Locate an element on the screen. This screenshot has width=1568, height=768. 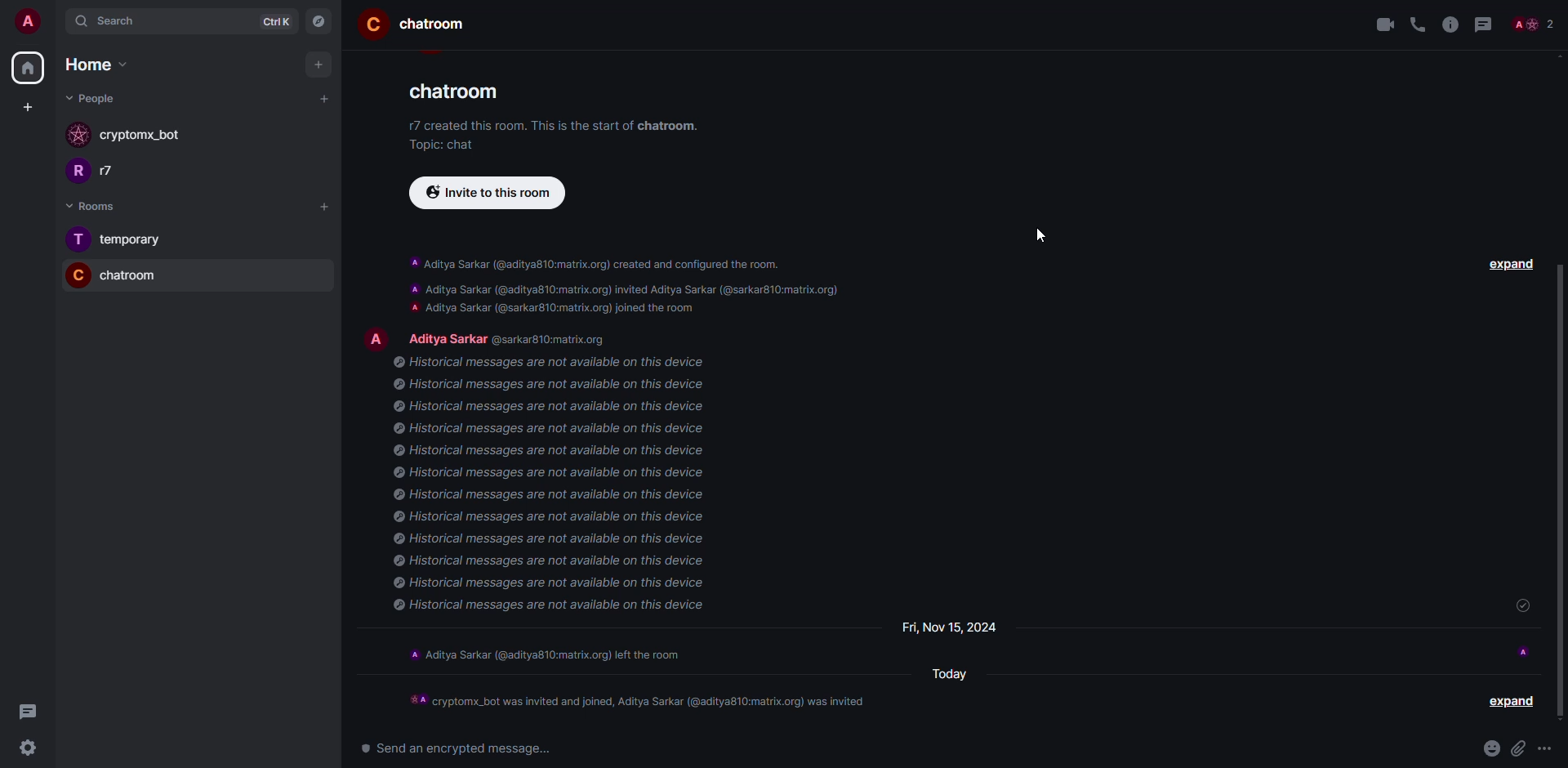
threads is located at coordinates (1485, 25).